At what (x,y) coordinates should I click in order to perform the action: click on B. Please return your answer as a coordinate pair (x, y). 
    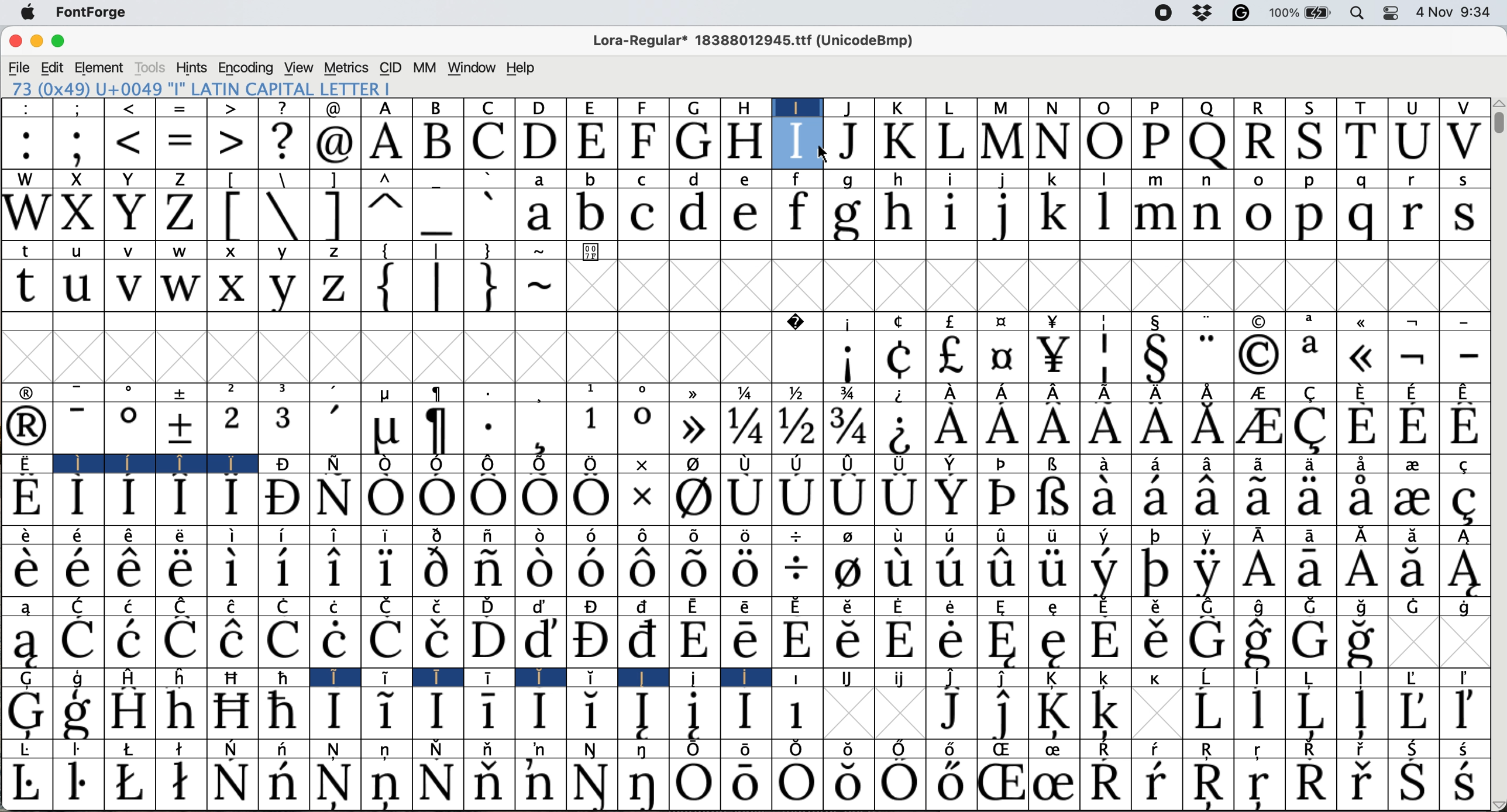
    Looking at the image, I should click on (436, 143).